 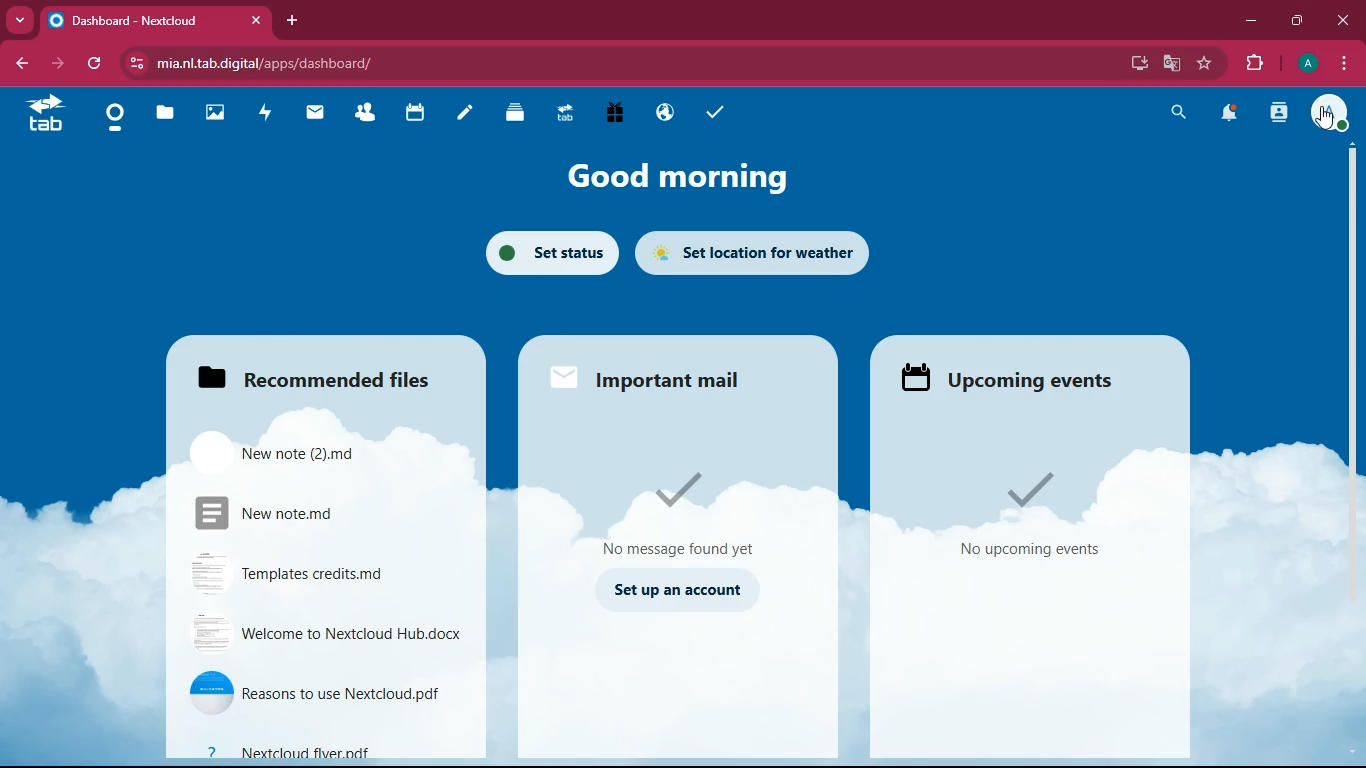 What do you see at coordinates (610, 114) in the screenshot?
I see `gift` at bounding box center [610, 114].